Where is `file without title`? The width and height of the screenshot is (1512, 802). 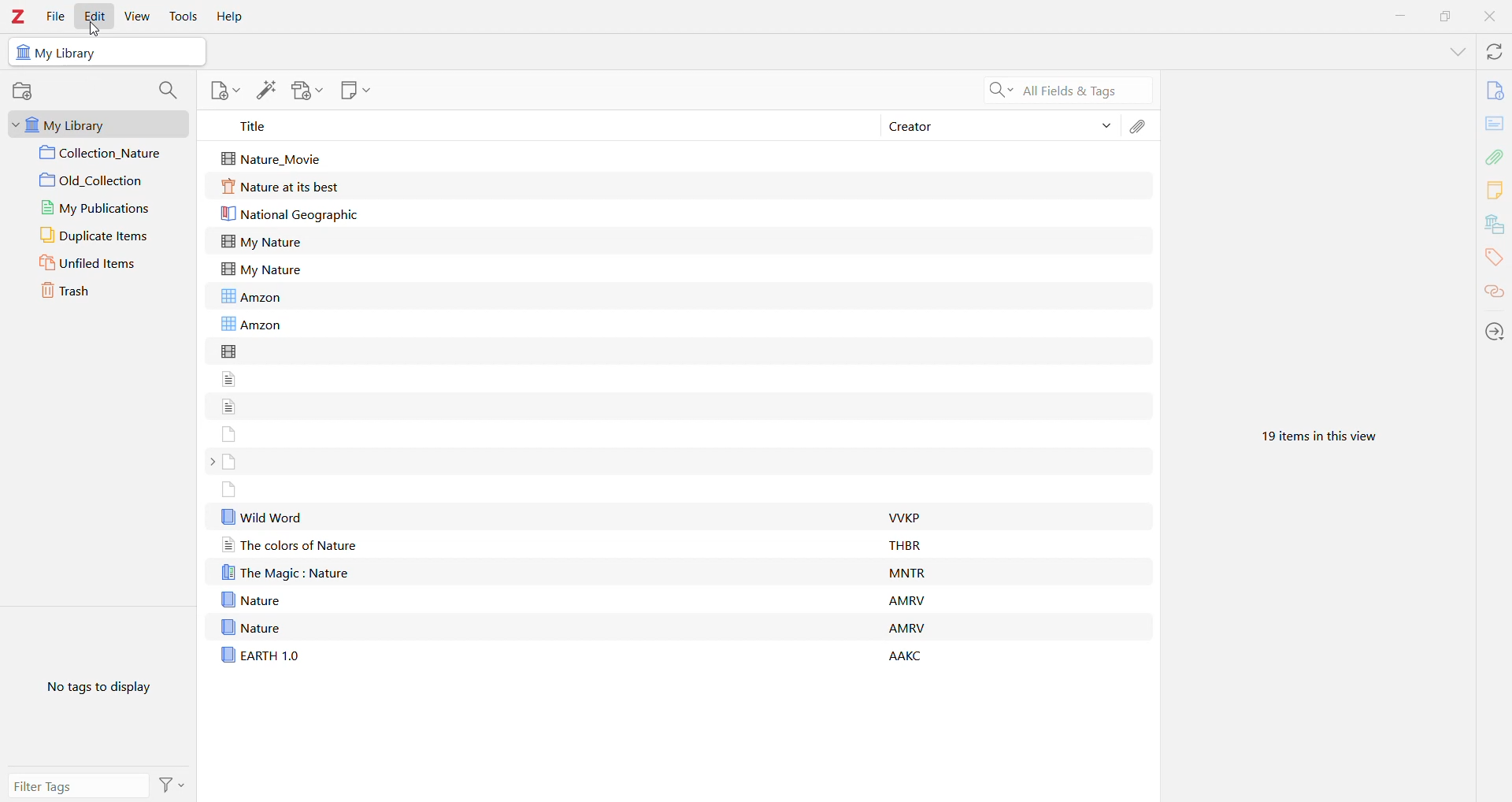
file without title is located at coordinates (229, 405).